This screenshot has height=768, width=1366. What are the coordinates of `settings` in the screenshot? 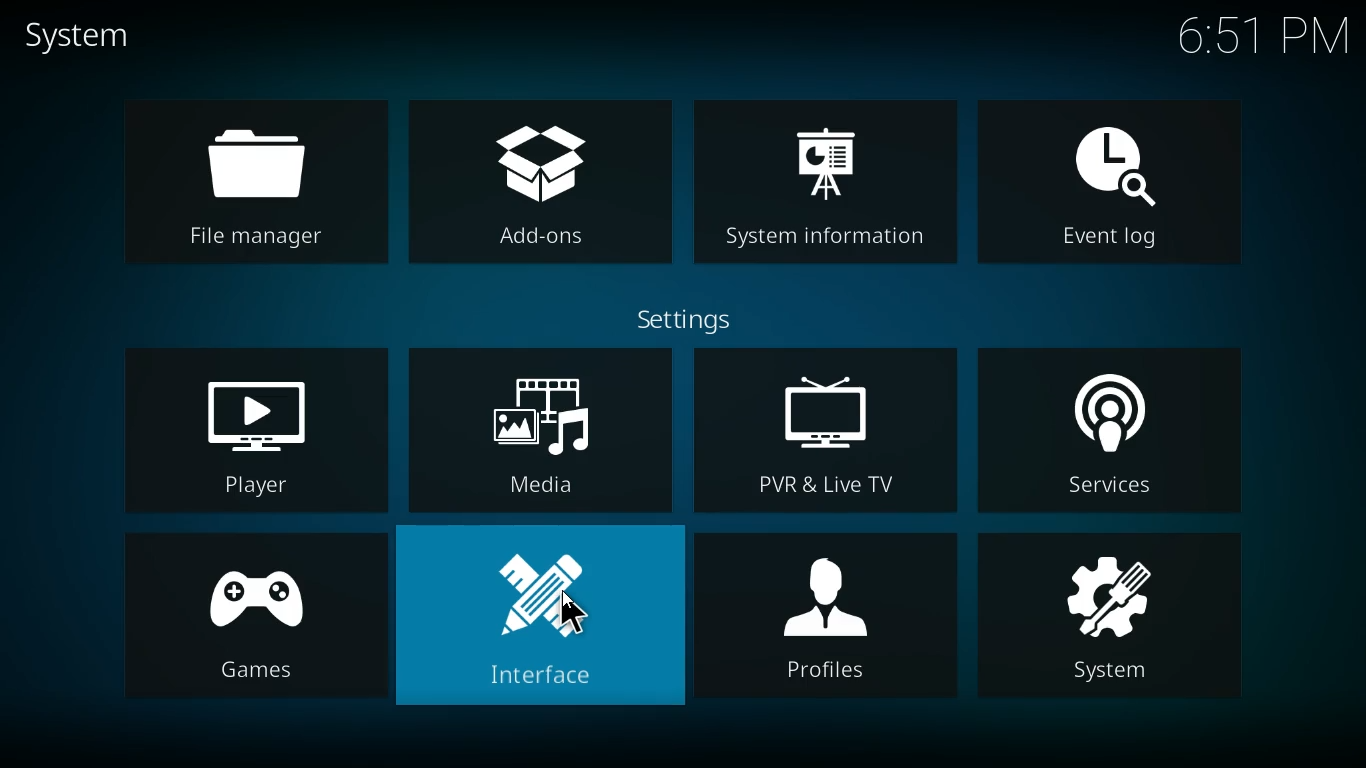 It's located at (683, 318).